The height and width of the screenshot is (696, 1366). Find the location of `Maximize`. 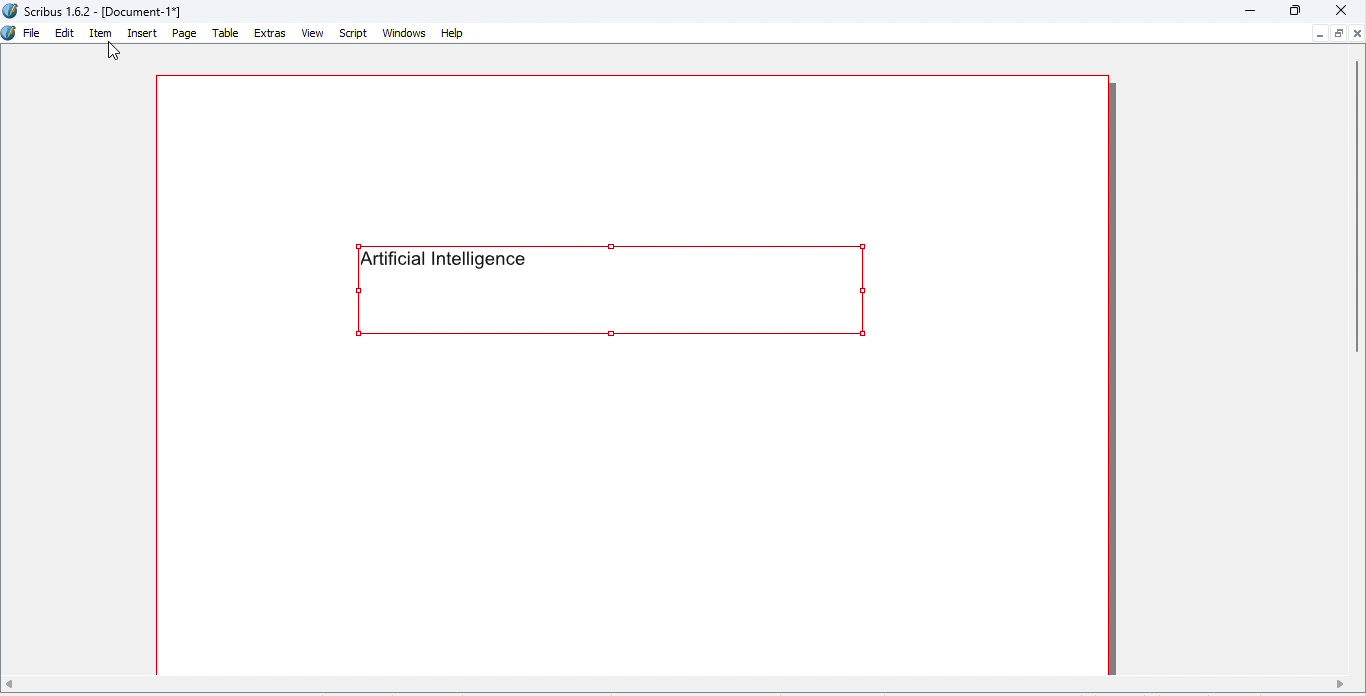

Maximize is located at coordinates (1337, 33).